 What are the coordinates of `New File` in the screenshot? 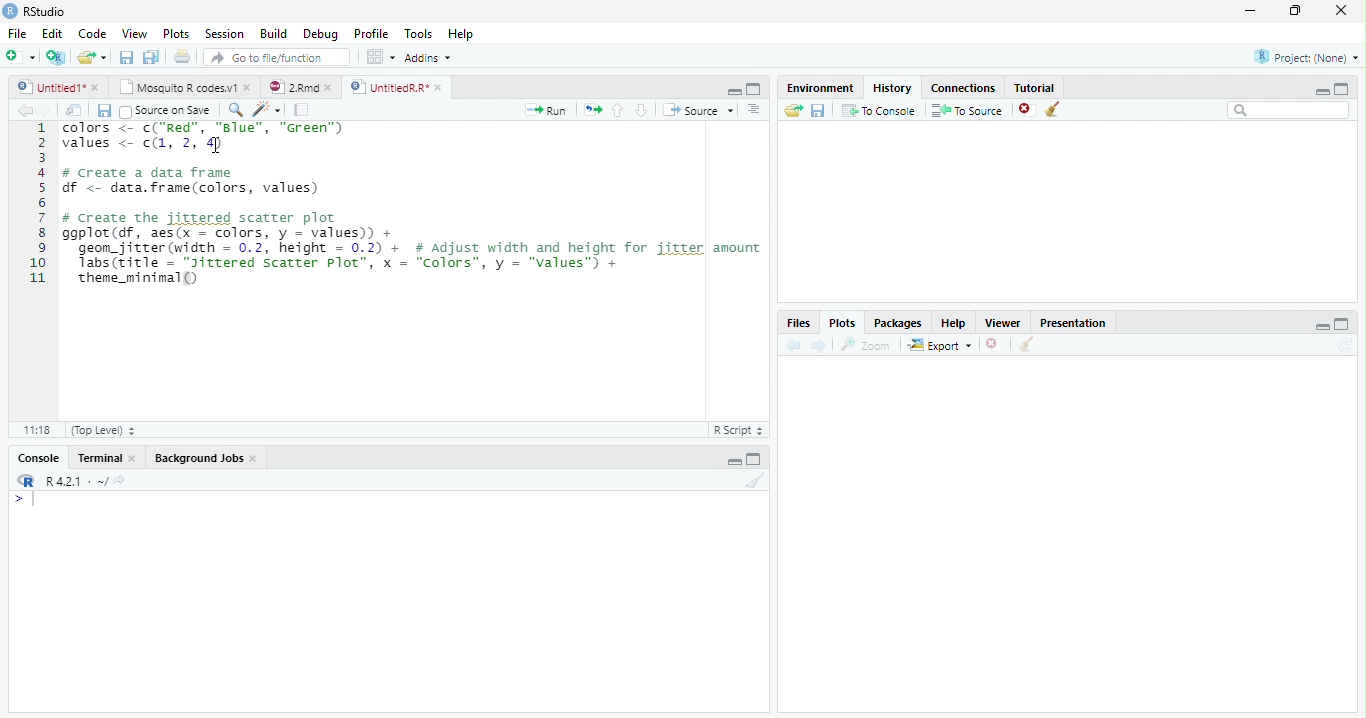 It's located at (21, 57).